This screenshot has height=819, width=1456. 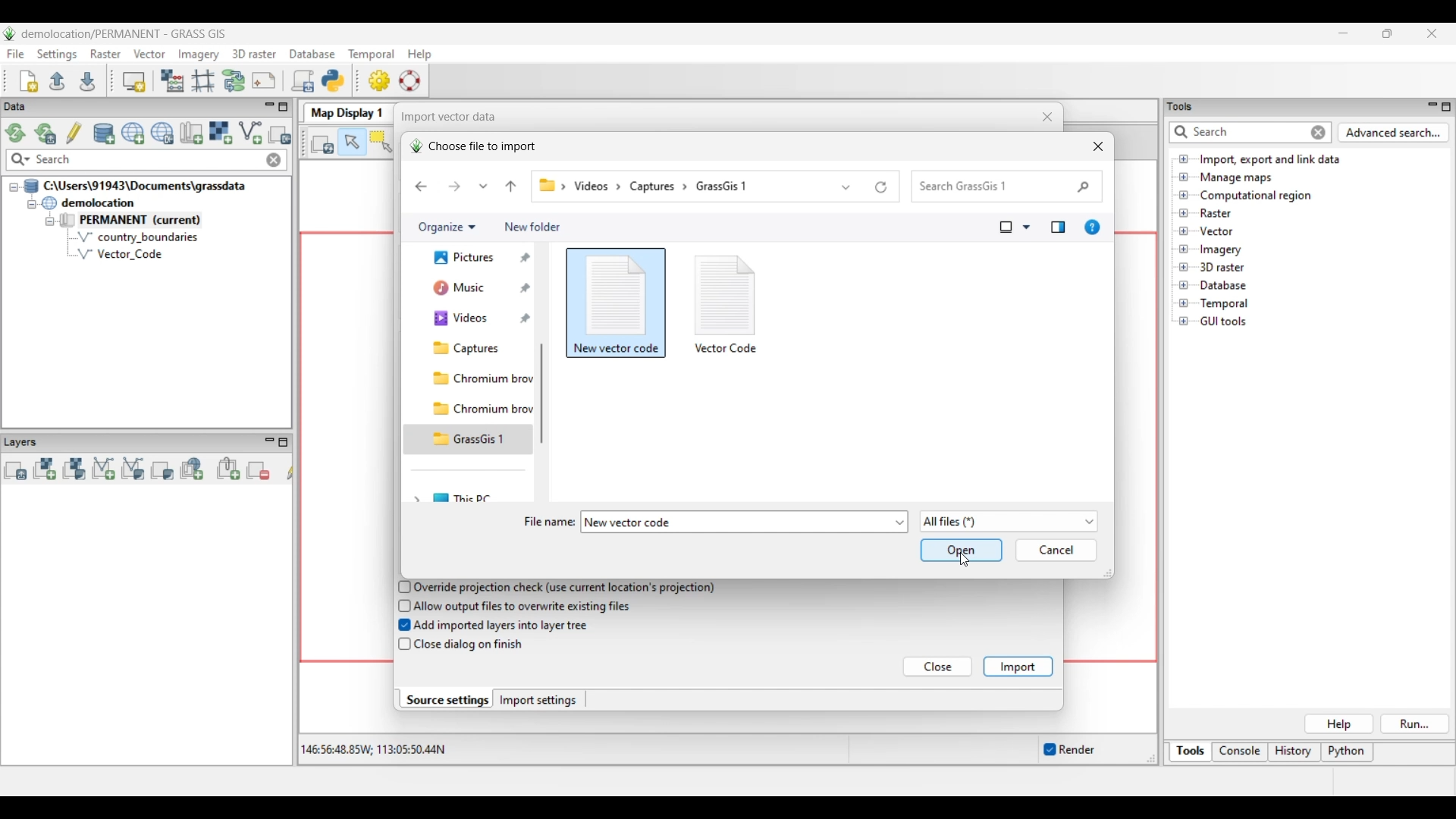 What do you see at coordinates (19, 160) in the screenshot?
I see `Search specific maps` at bounding box center [19, 160].